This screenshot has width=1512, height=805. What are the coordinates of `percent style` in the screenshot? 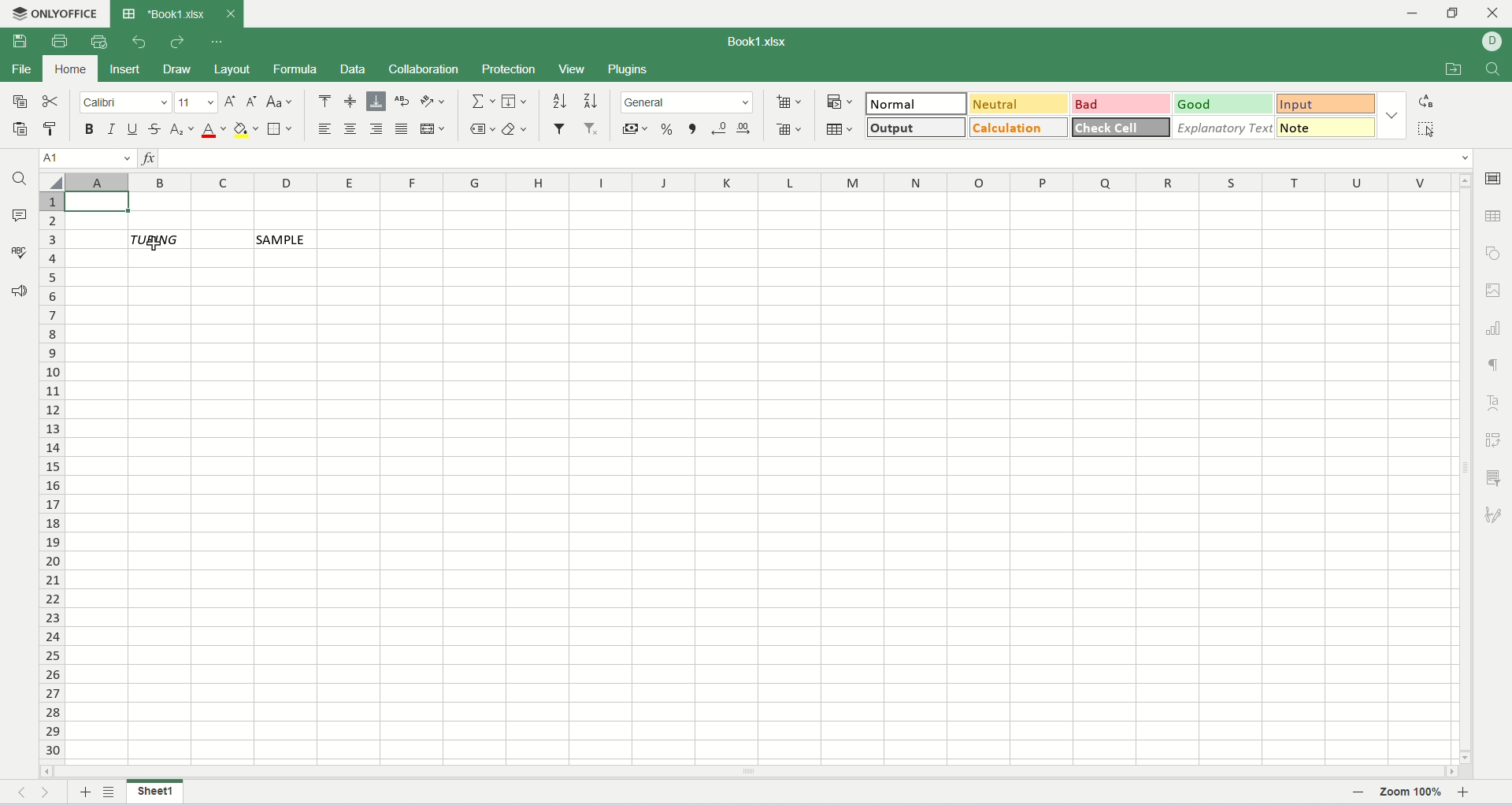 It's located at (669, 130).